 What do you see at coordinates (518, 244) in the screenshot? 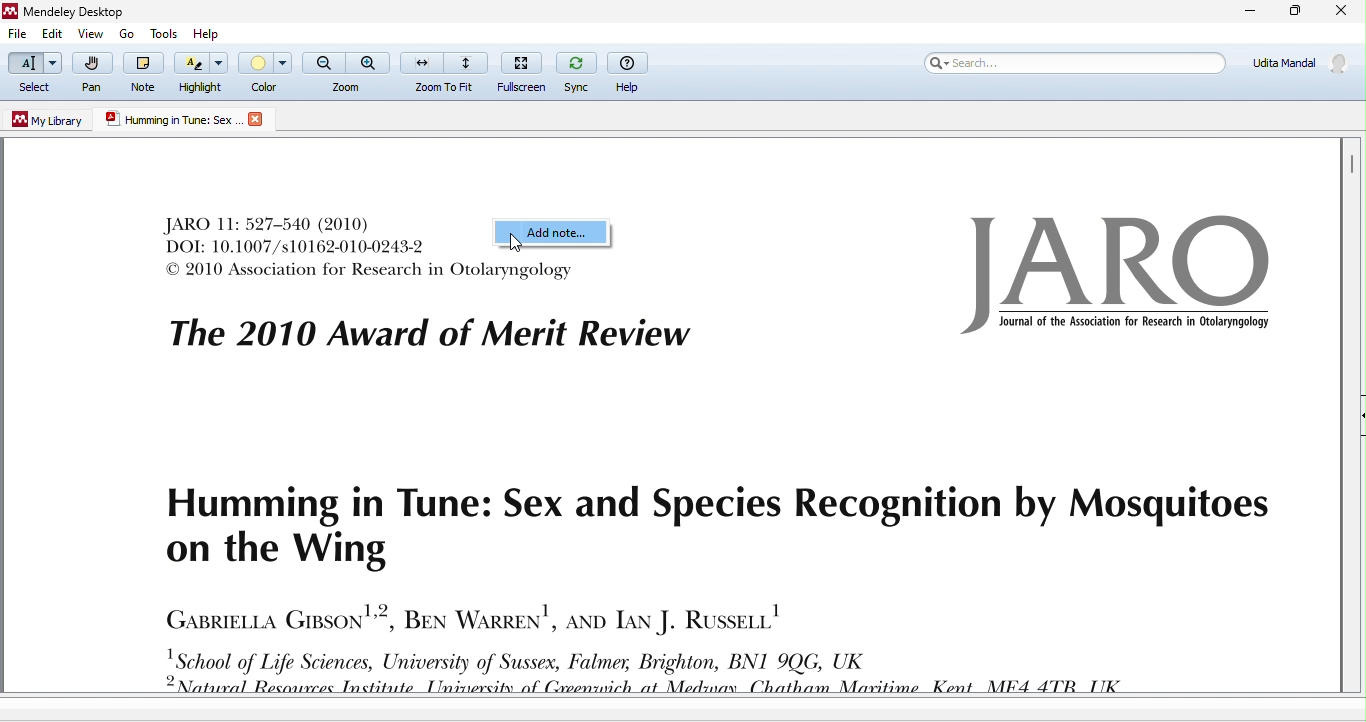
I see `cursor movement` at bounding box center [518, 244].